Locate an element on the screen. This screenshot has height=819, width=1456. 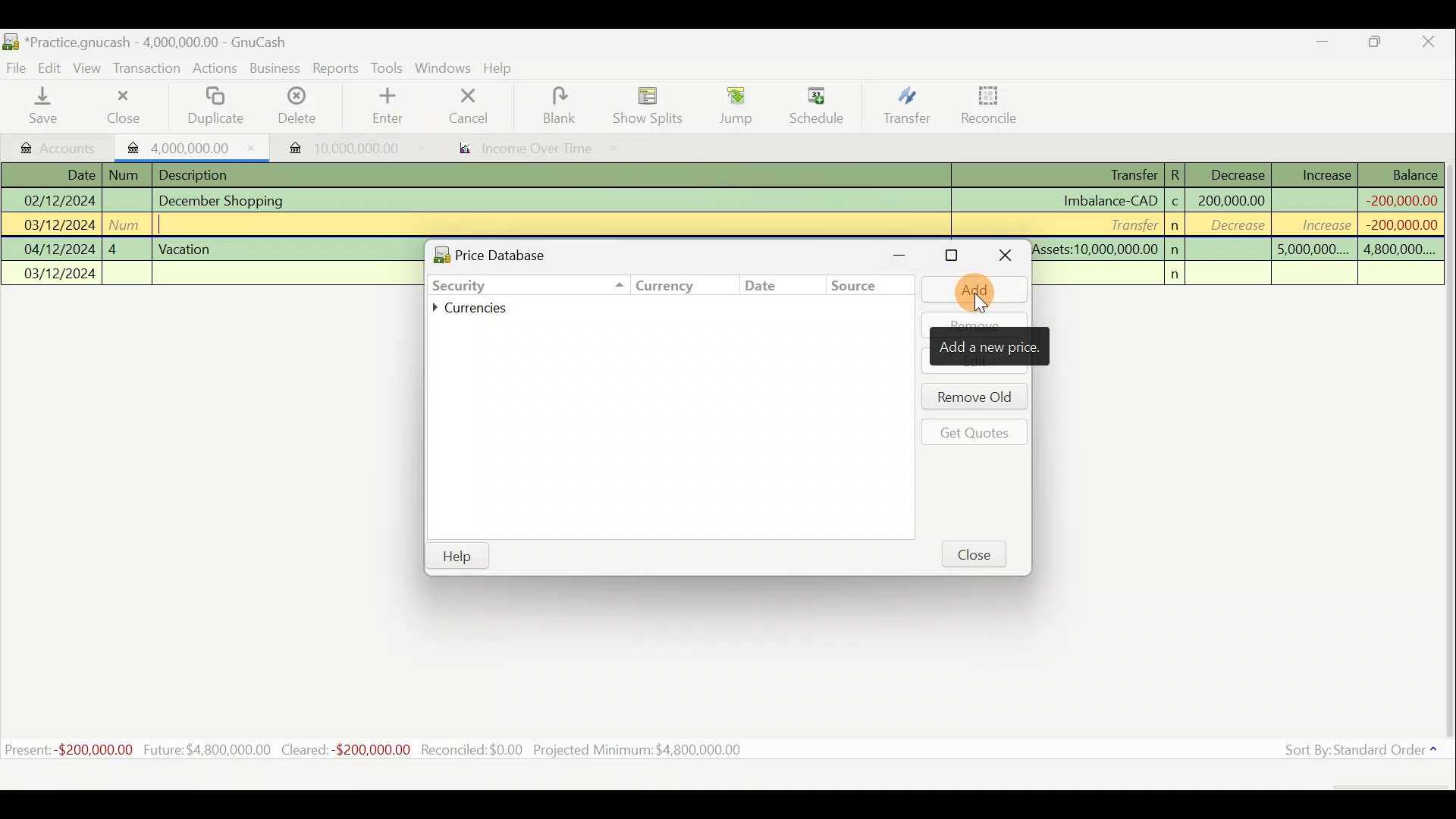
Increase is located at coordinates (1326, 173).